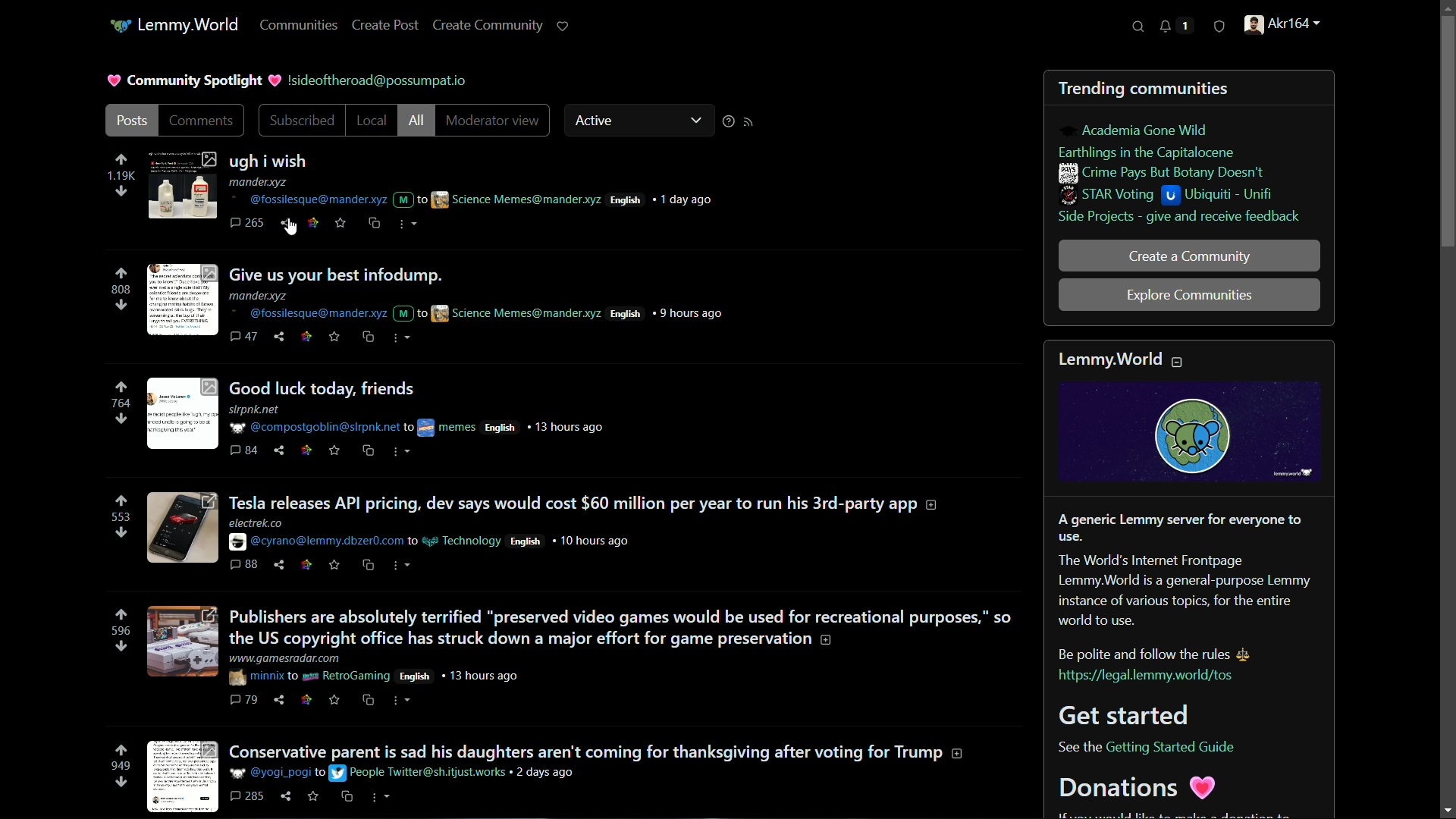  Describe the element at coordinates (122, 614) in the screenshot. I see `upvote` at that location.